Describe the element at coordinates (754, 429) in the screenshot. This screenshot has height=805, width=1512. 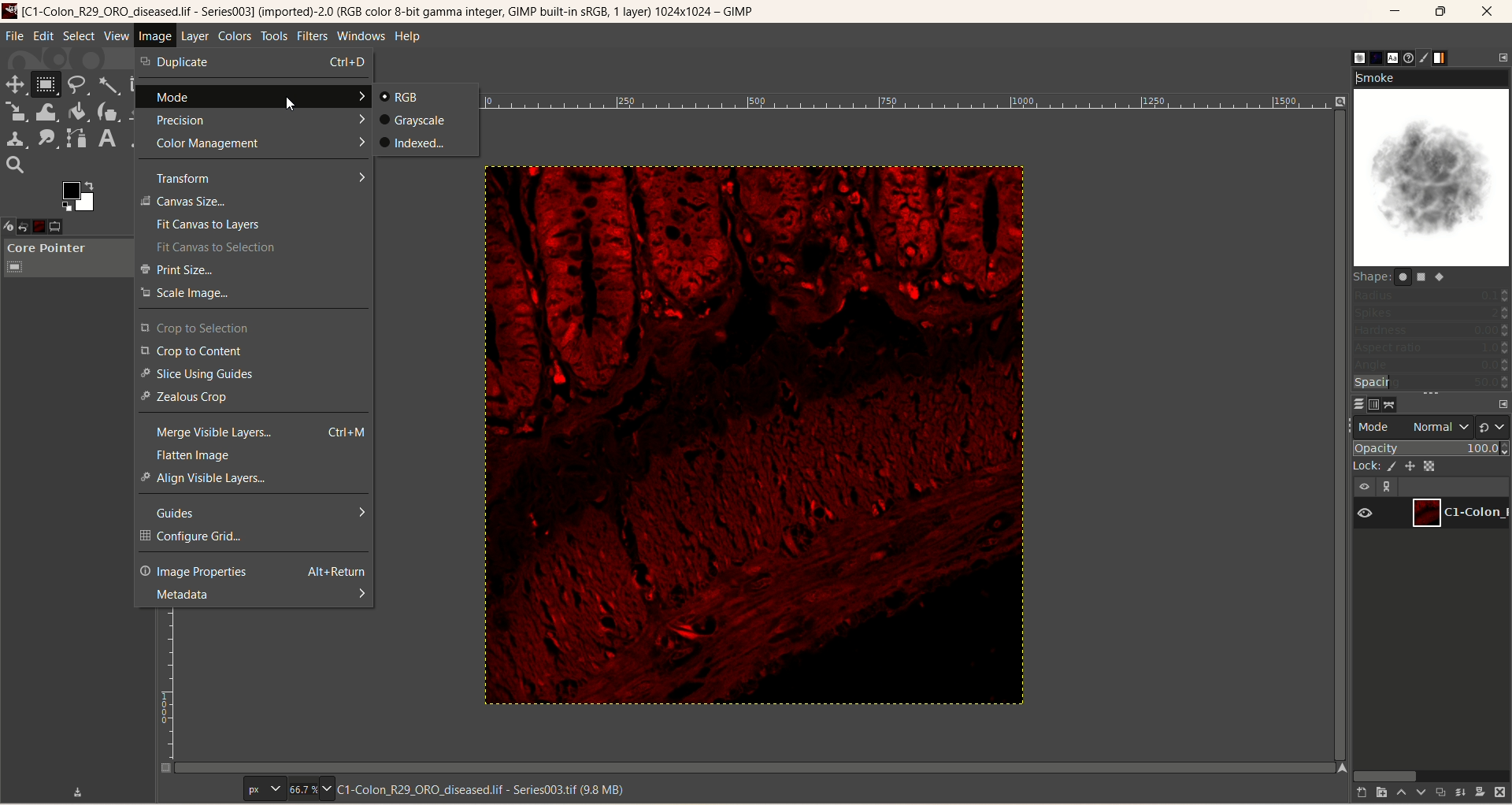
I see `image` at that location.